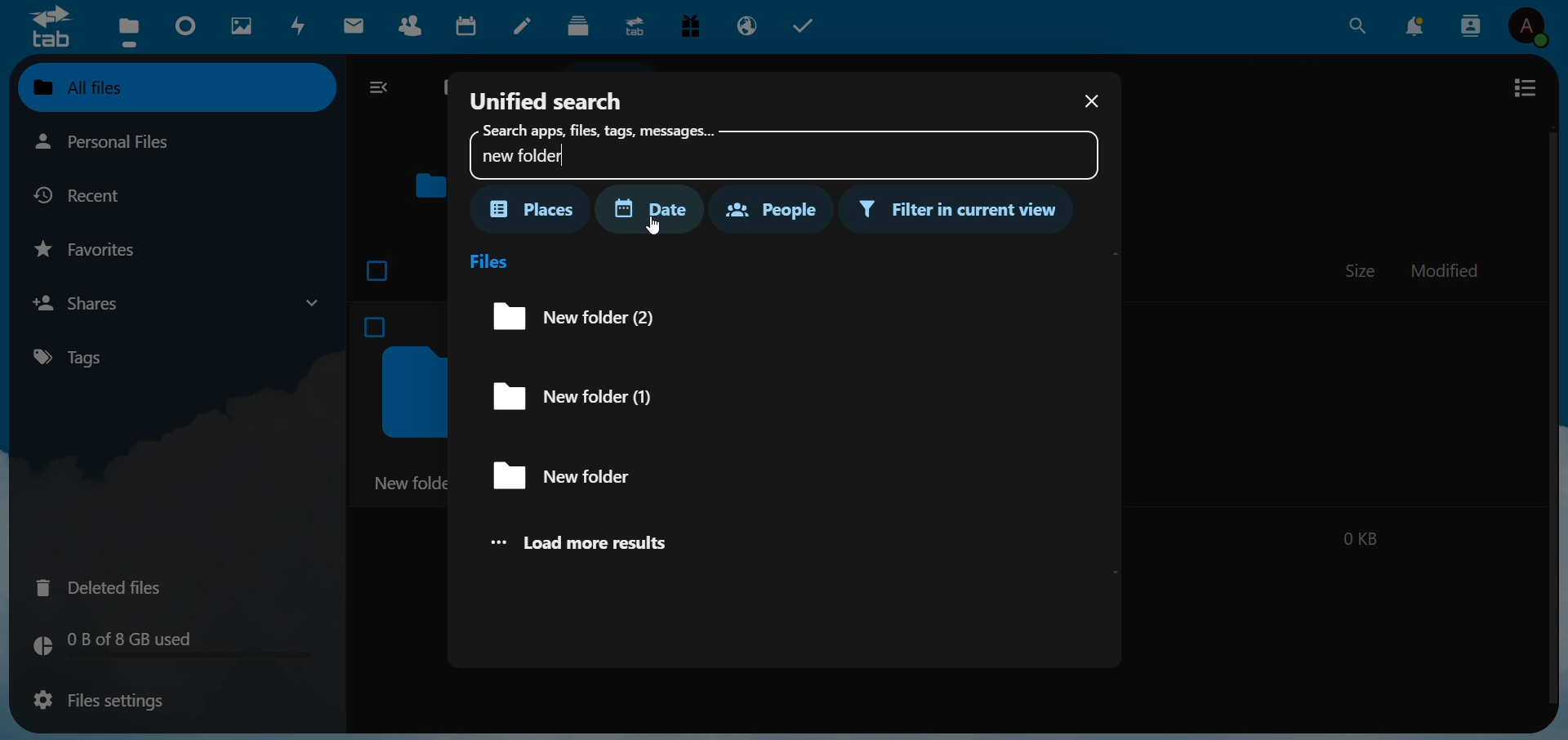  I want to click on calendar, so click(470, 29).